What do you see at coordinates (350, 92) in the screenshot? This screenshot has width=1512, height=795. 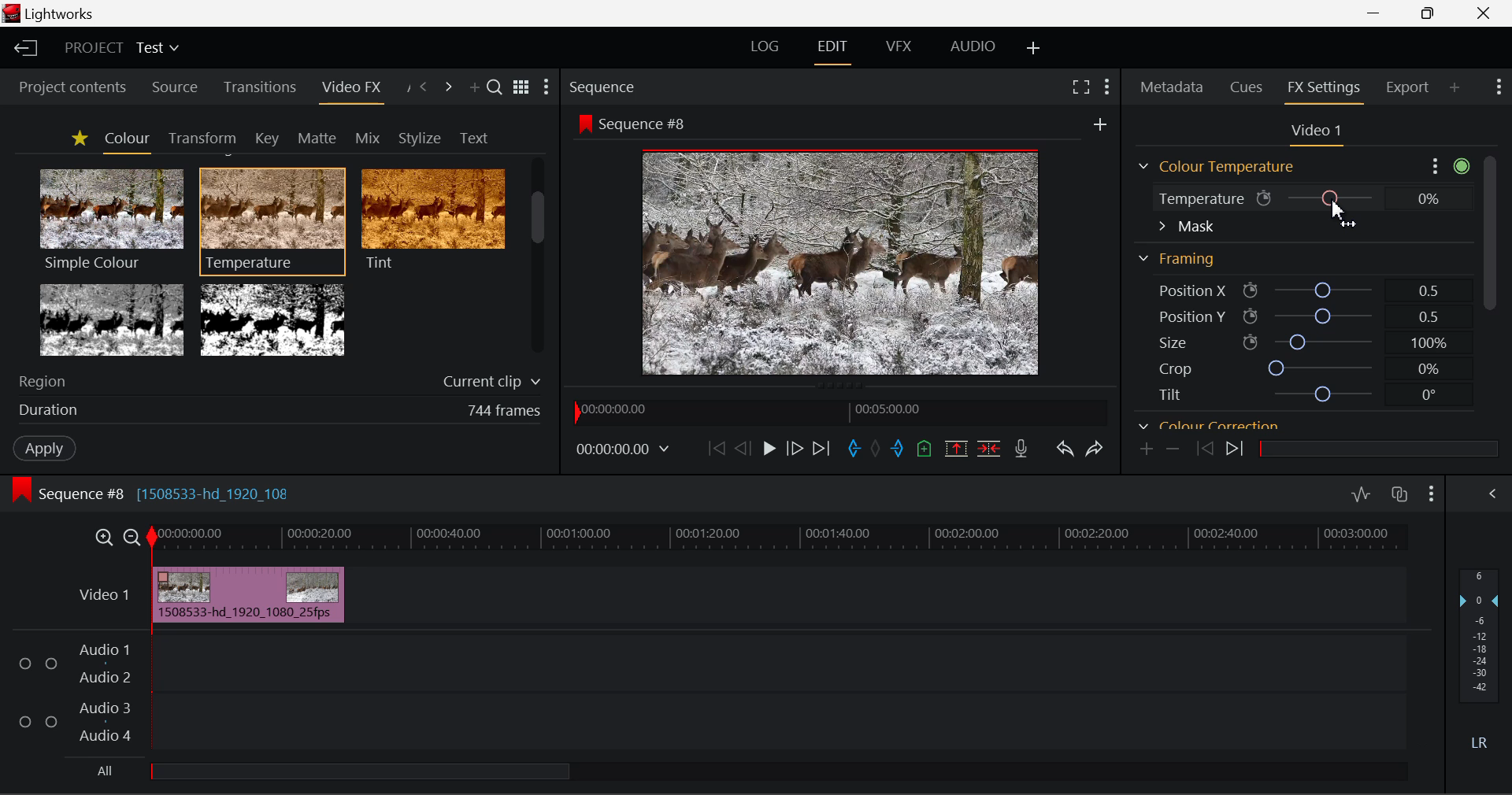 I see `Video FX` at bounding box center [350, 92].